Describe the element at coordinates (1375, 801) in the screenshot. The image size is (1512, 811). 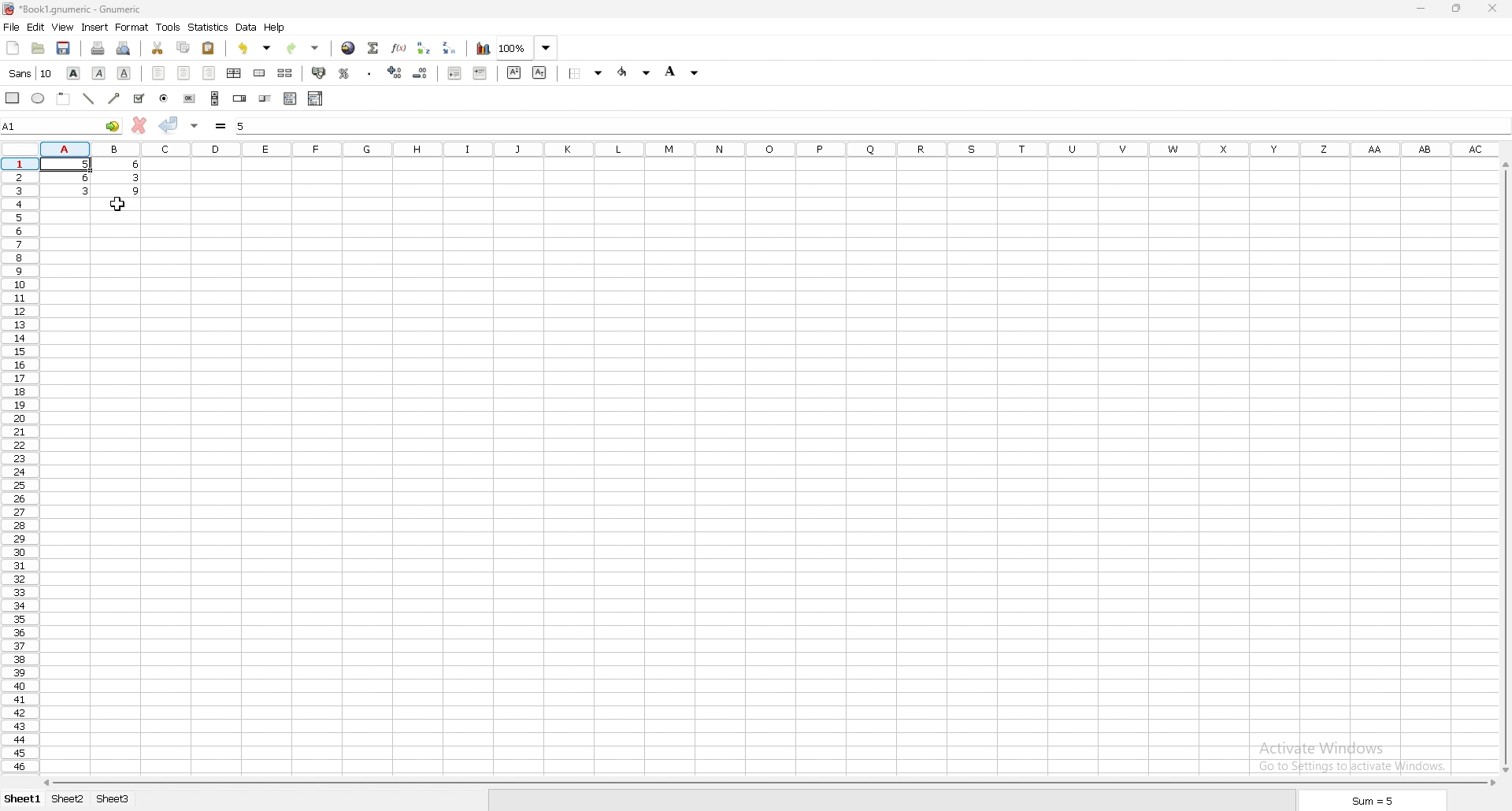
I see `sum` at that location.